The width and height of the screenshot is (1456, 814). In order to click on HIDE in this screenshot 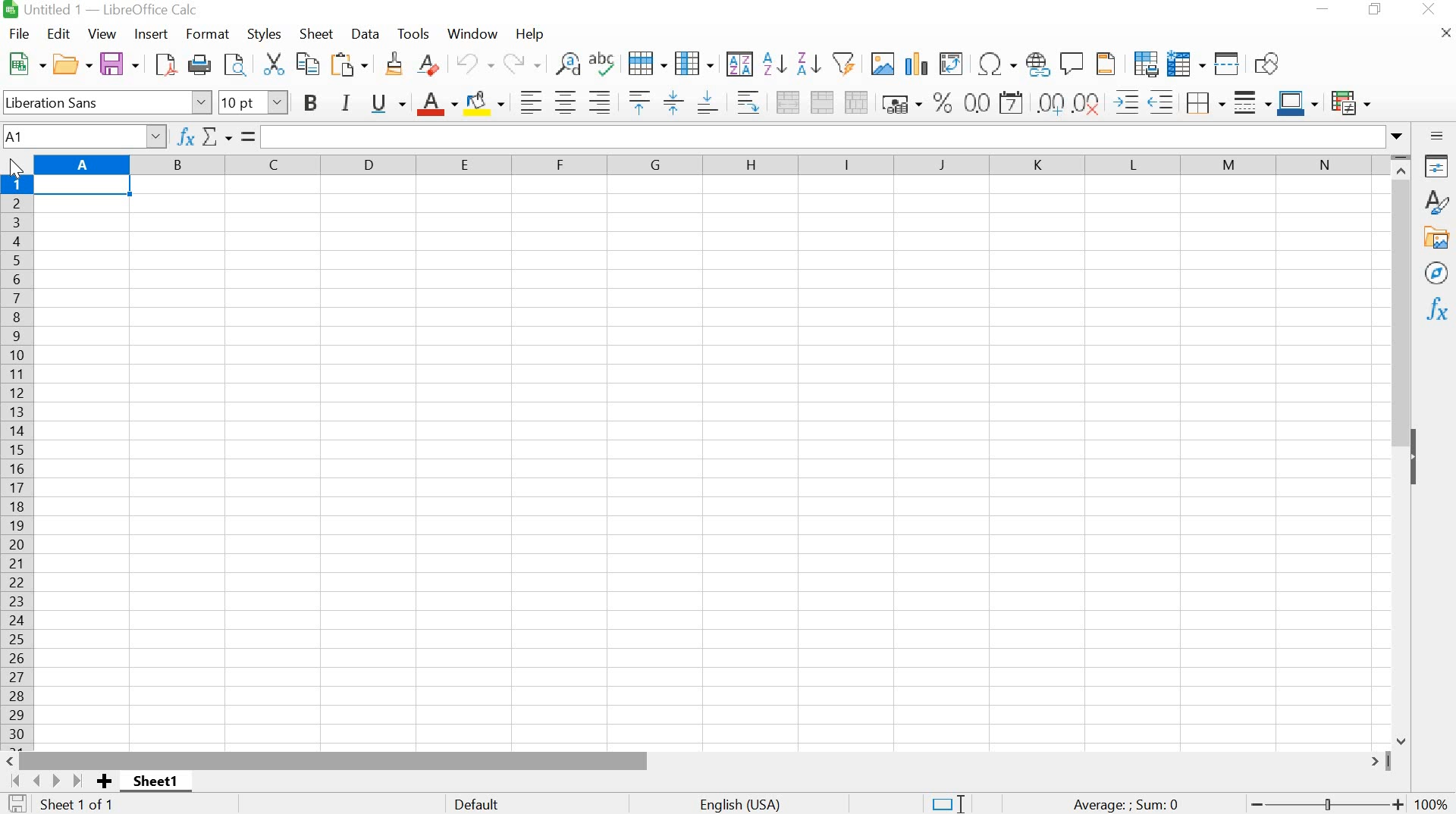, I will do `click(1418, 452)`.